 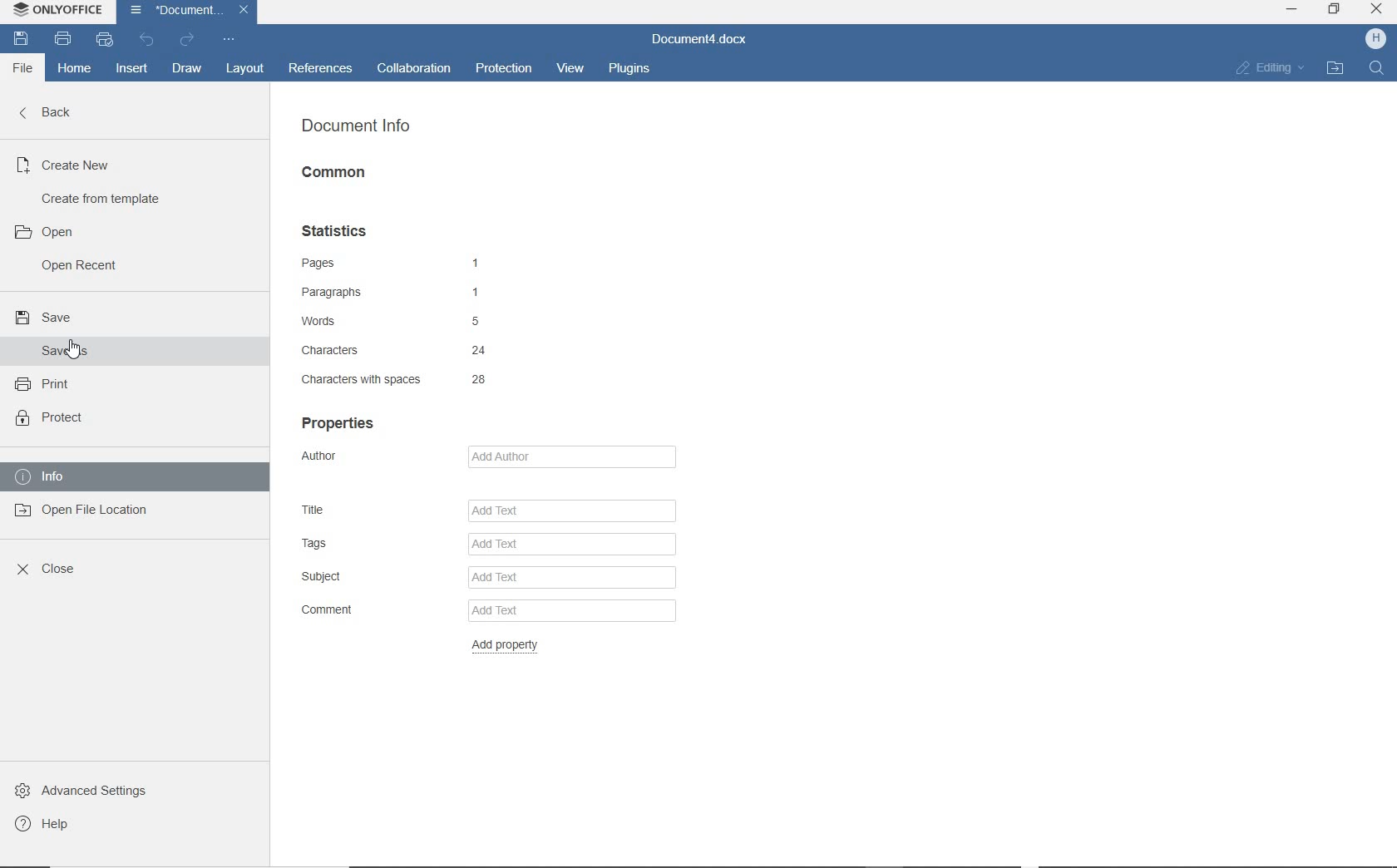 I want to click on author, so click(x=346, y=458).